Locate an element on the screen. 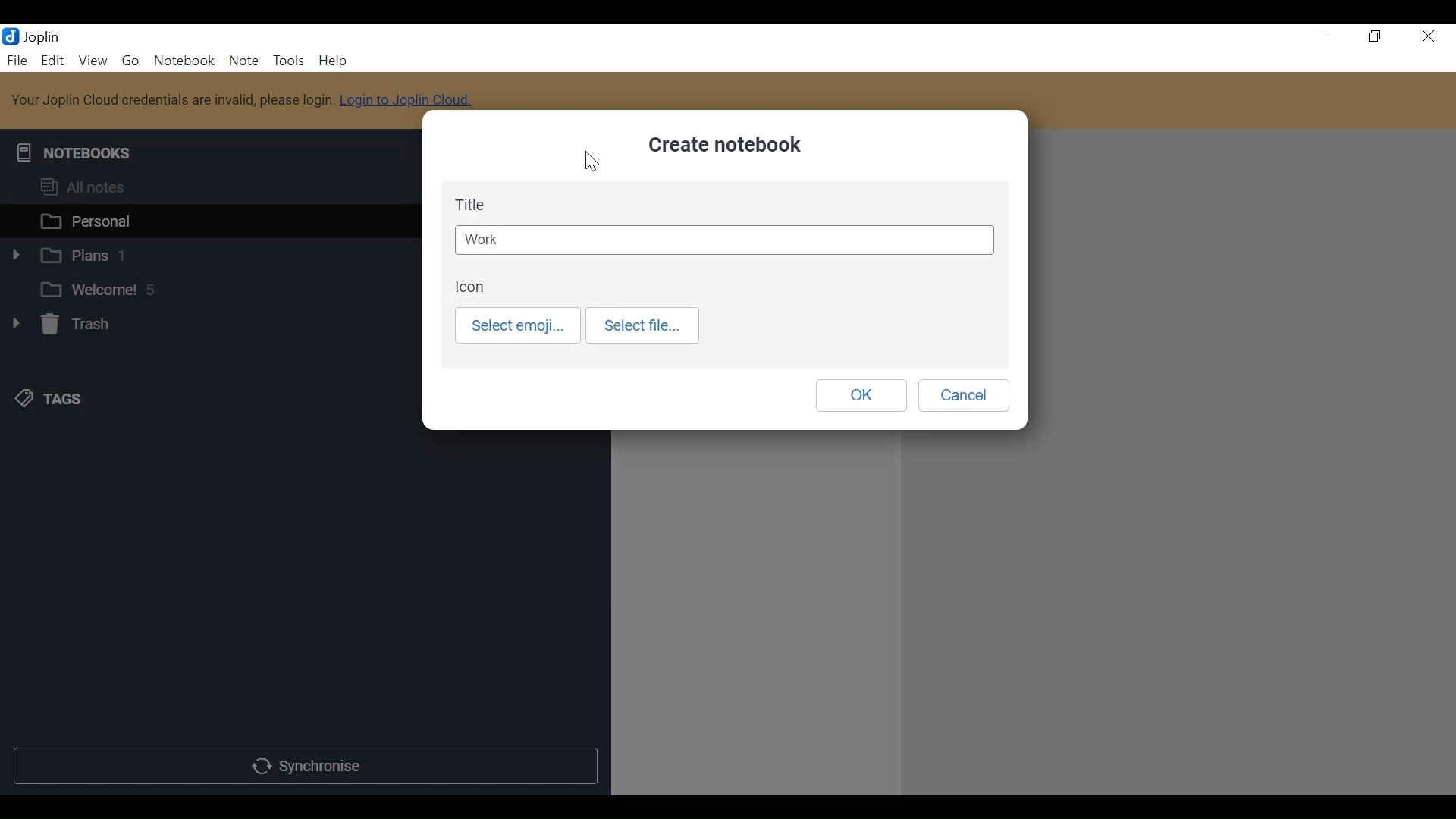 This screenshot has width=1456, height=819. File is located at coordinates (16, 59).